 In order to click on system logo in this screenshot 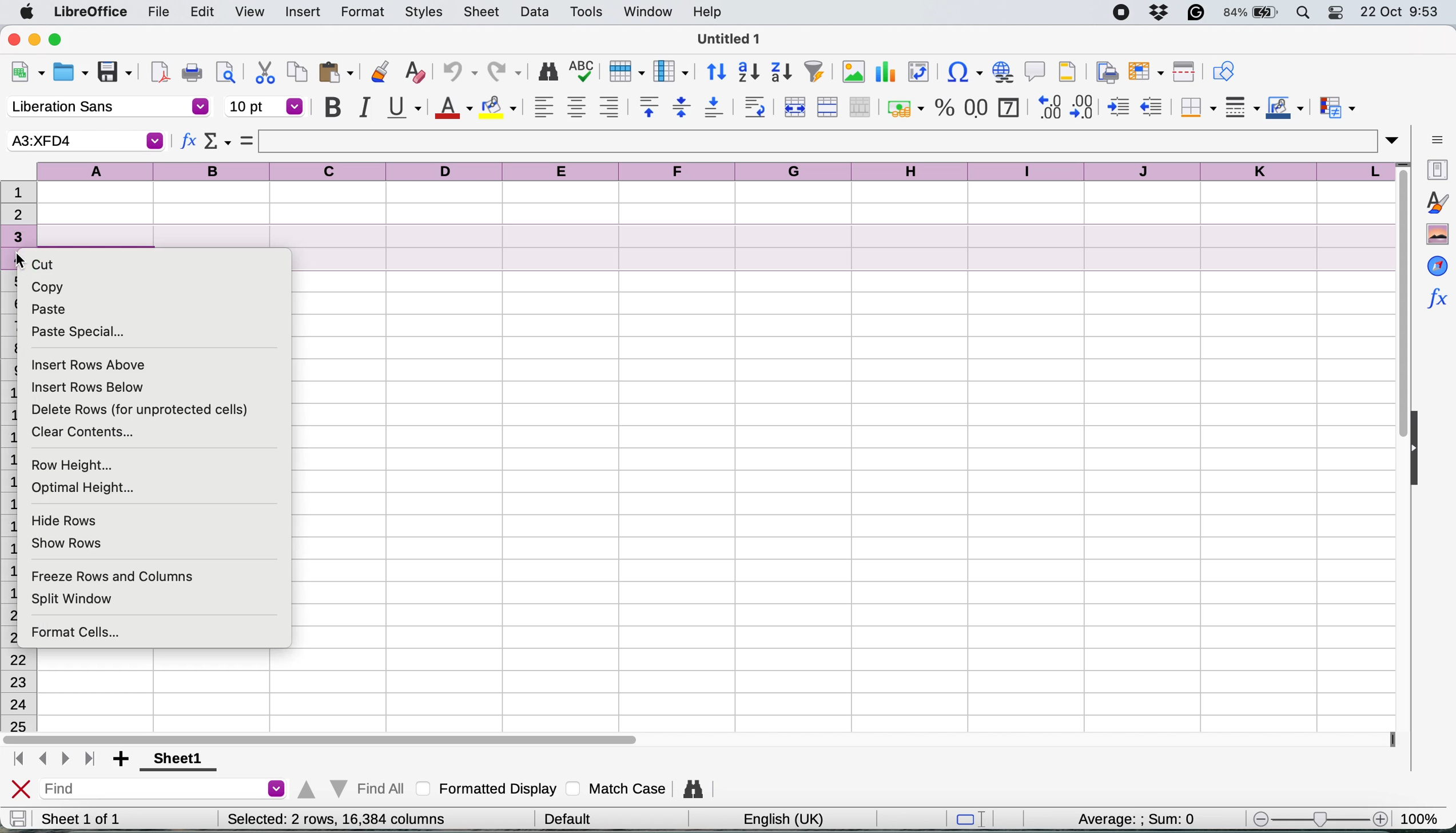, I will do `click(29, 13)`.